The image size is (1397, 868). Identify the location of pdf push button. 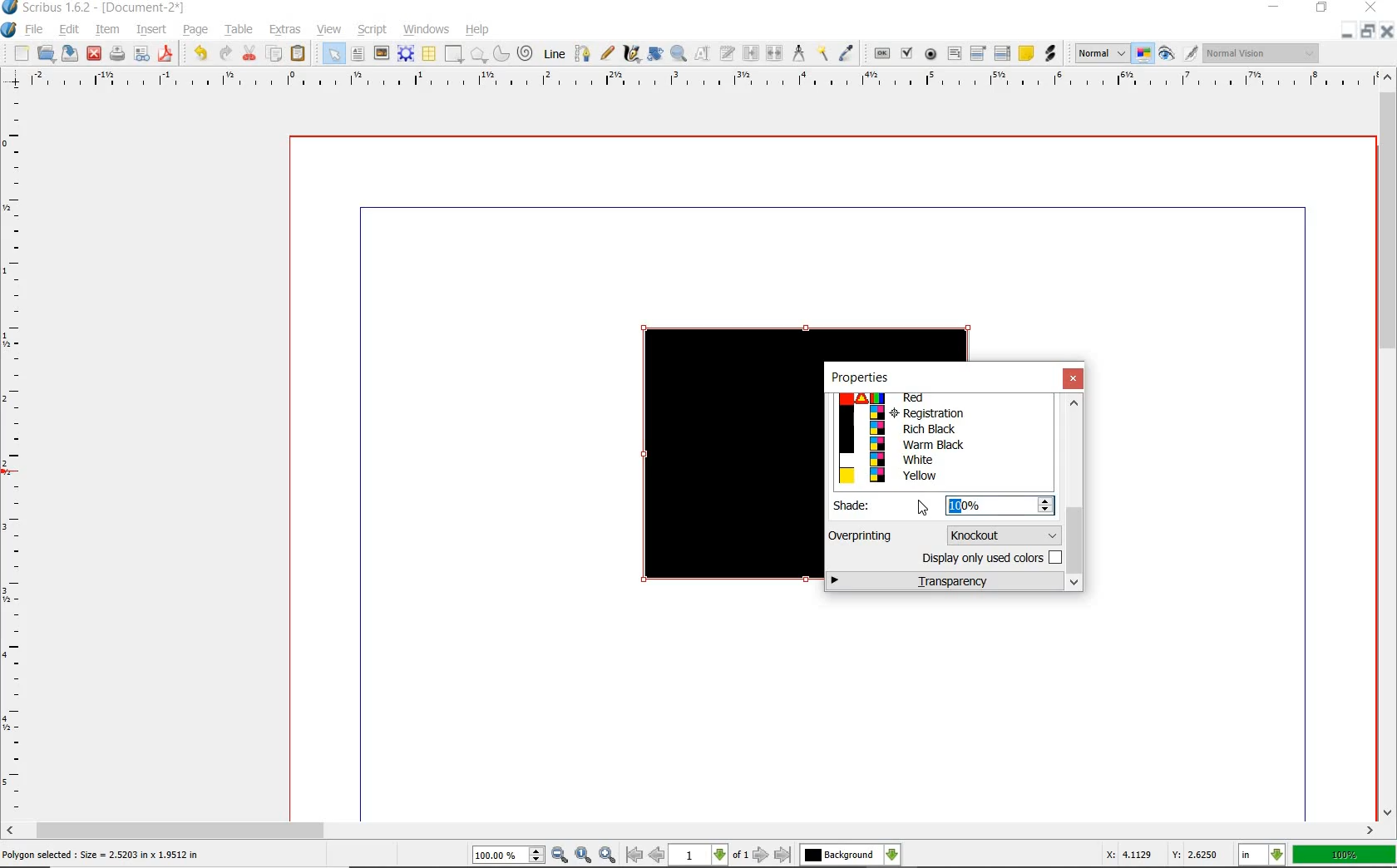
(880, 55).